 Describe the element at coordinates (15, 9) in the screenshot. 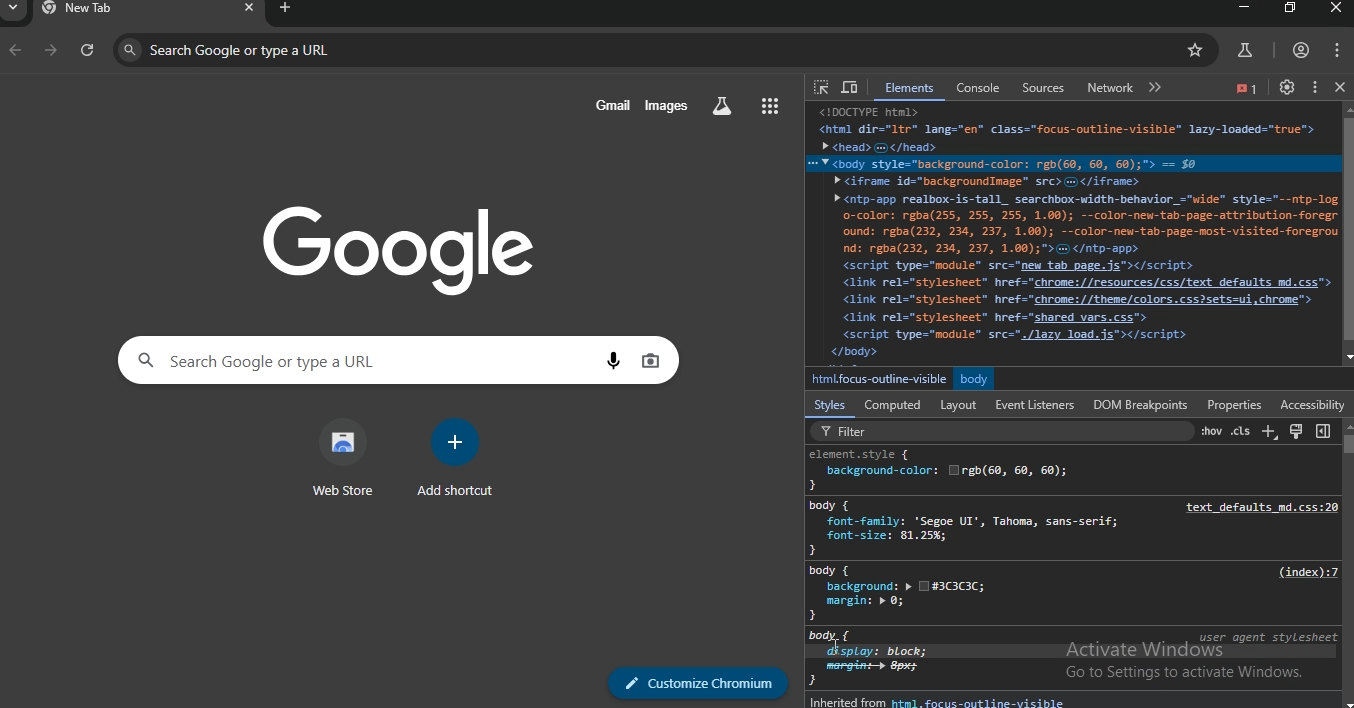

I see `search tab` at that location.